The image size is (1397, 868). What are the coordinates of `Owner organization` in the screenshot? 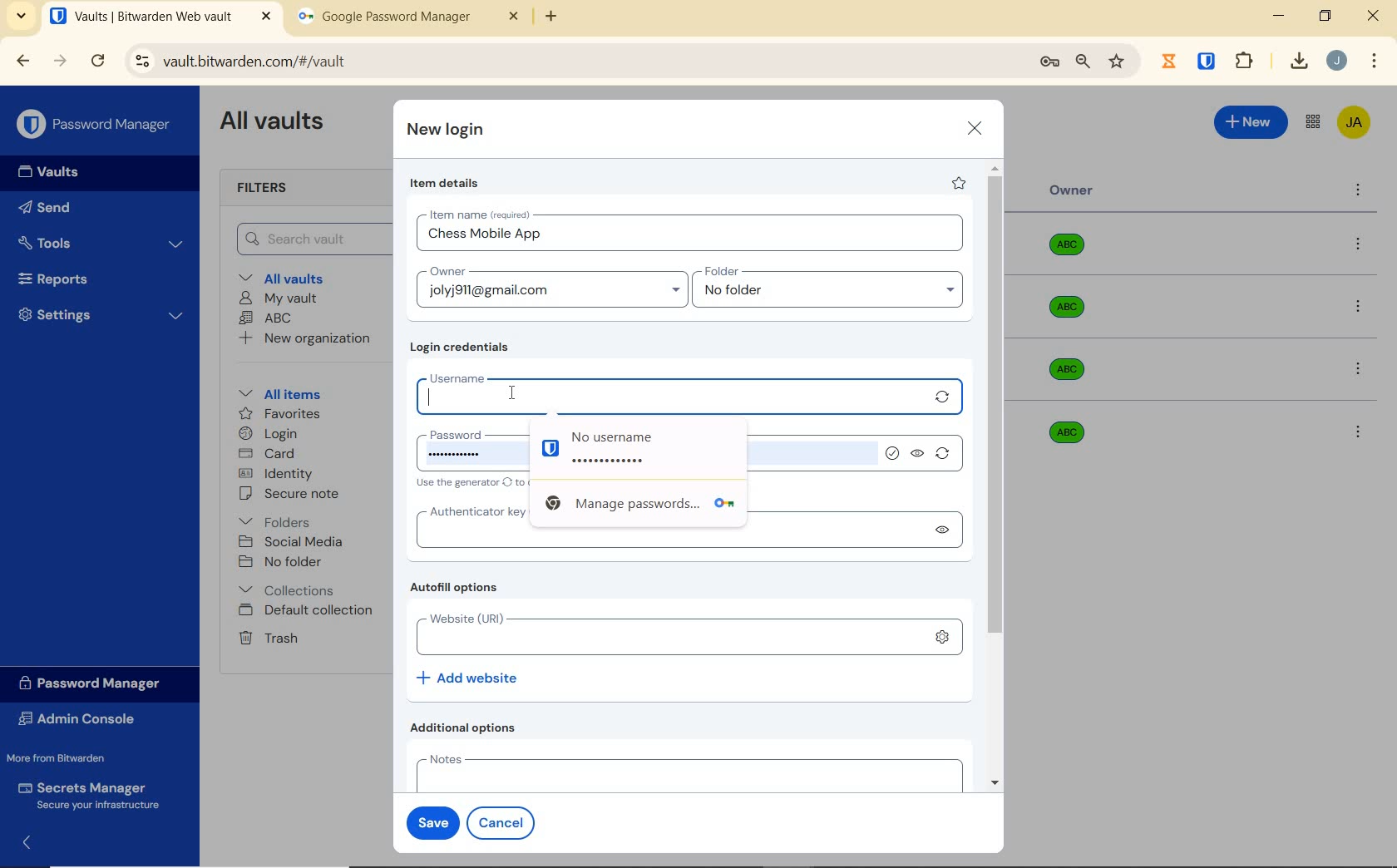 It's located at (1063, 431).